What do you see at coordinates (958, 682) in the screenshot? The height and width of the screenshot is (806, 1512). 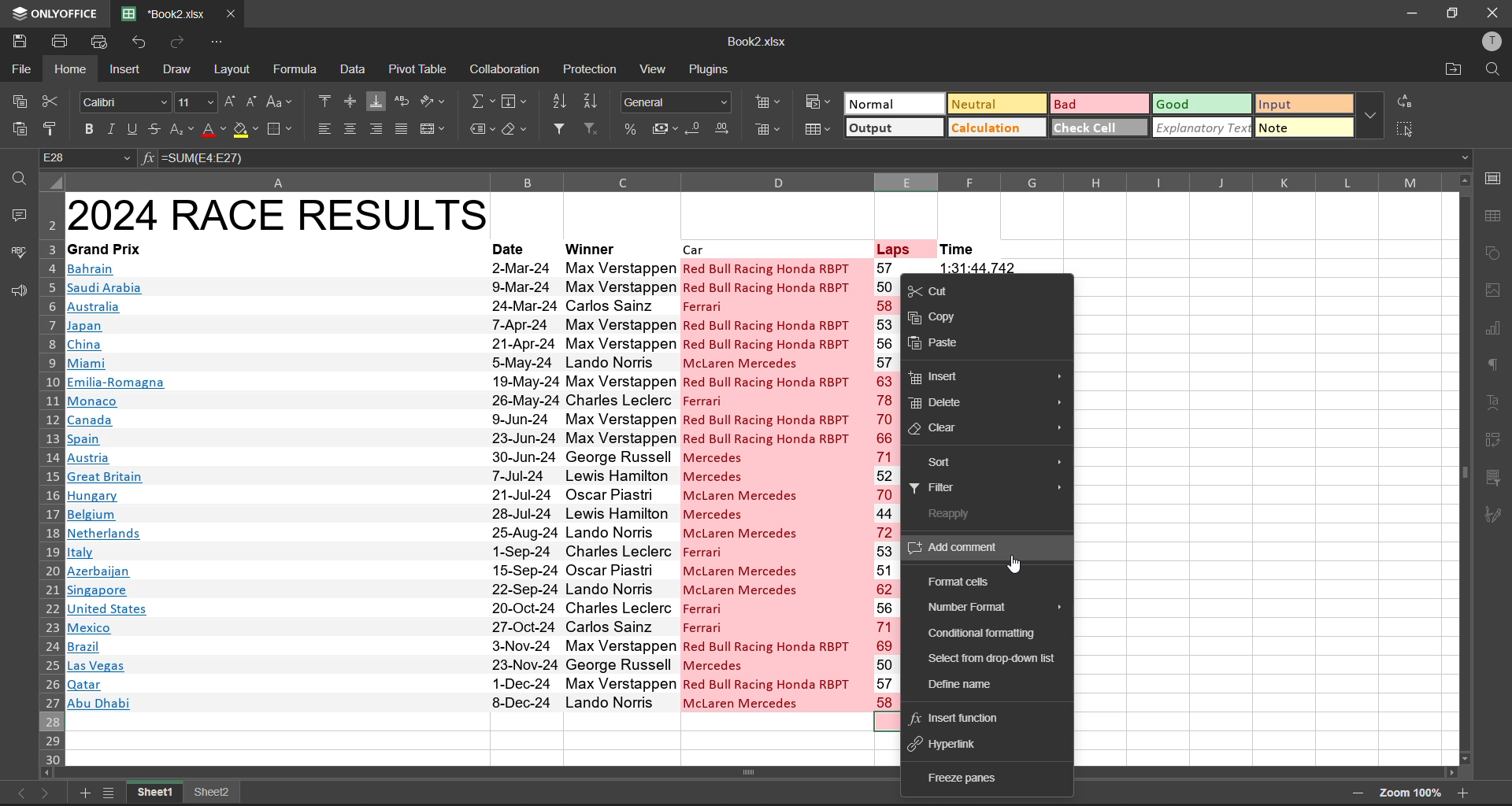 I see `define name` at bounding box center [958, 682].